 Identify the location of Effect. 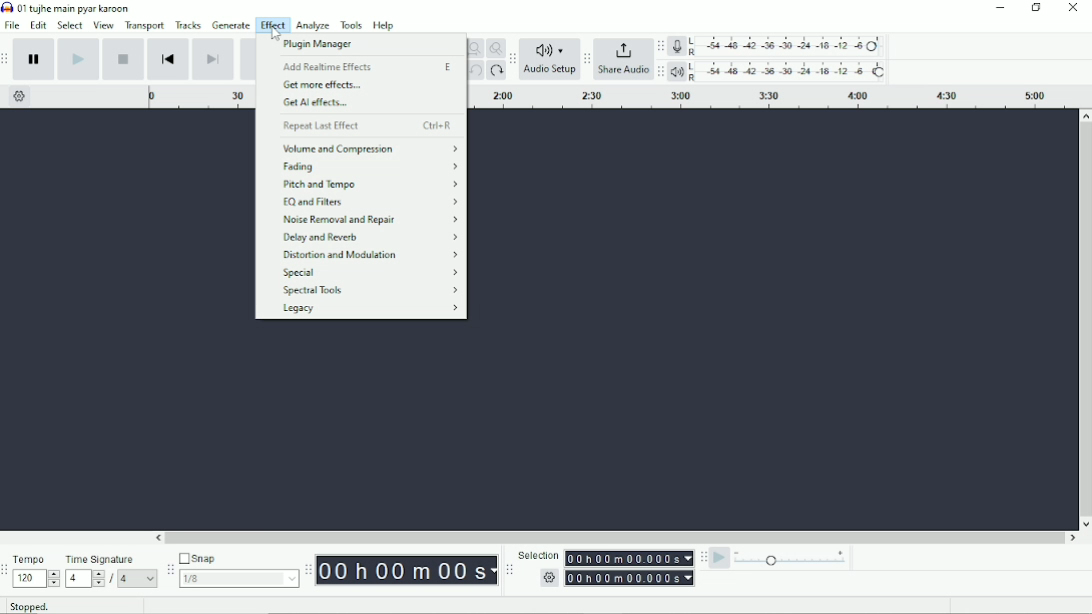
(272, 25).